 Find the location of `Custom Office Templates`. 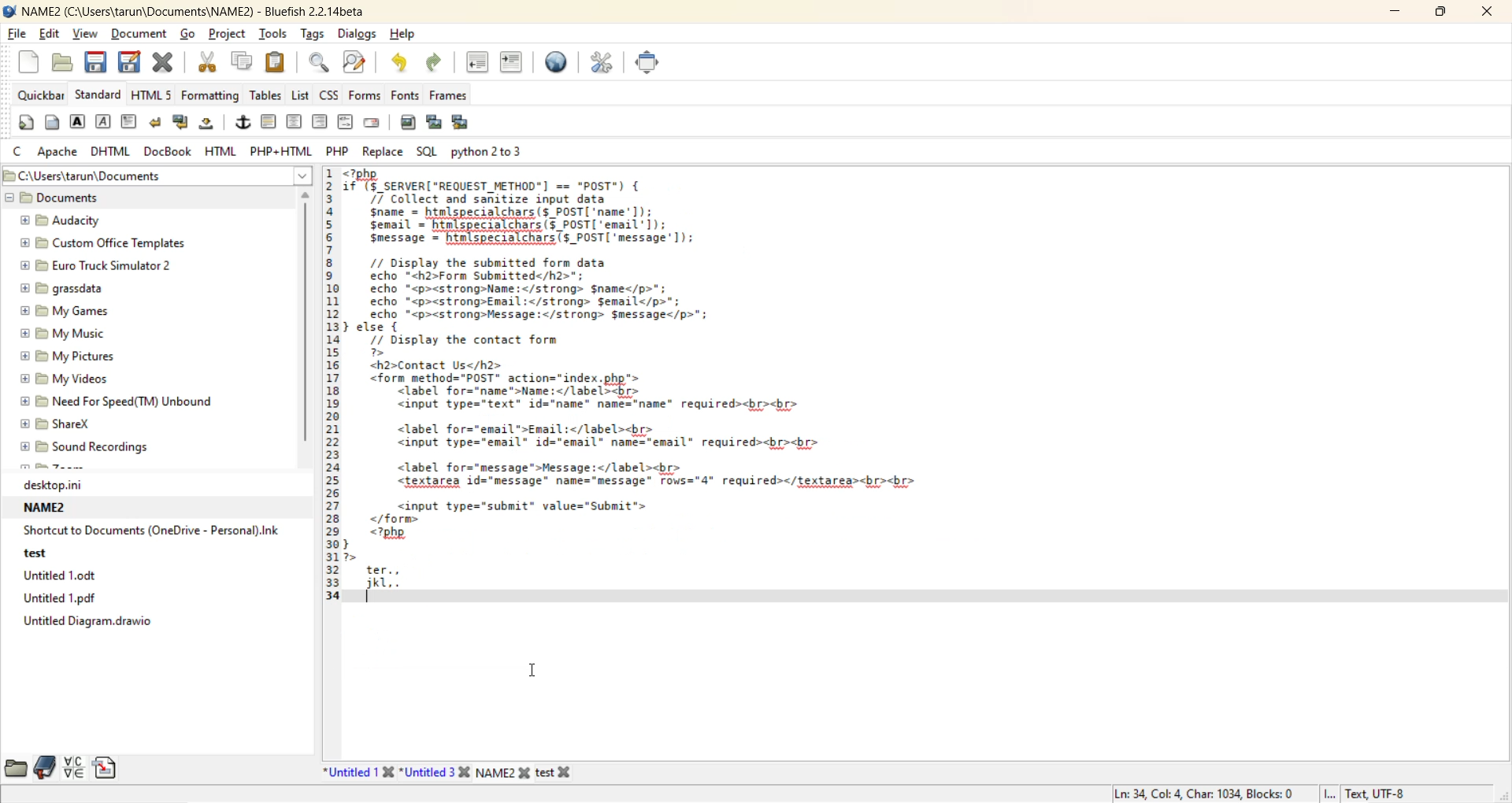

Custom Office Templates is located at coordinates (106, 242).